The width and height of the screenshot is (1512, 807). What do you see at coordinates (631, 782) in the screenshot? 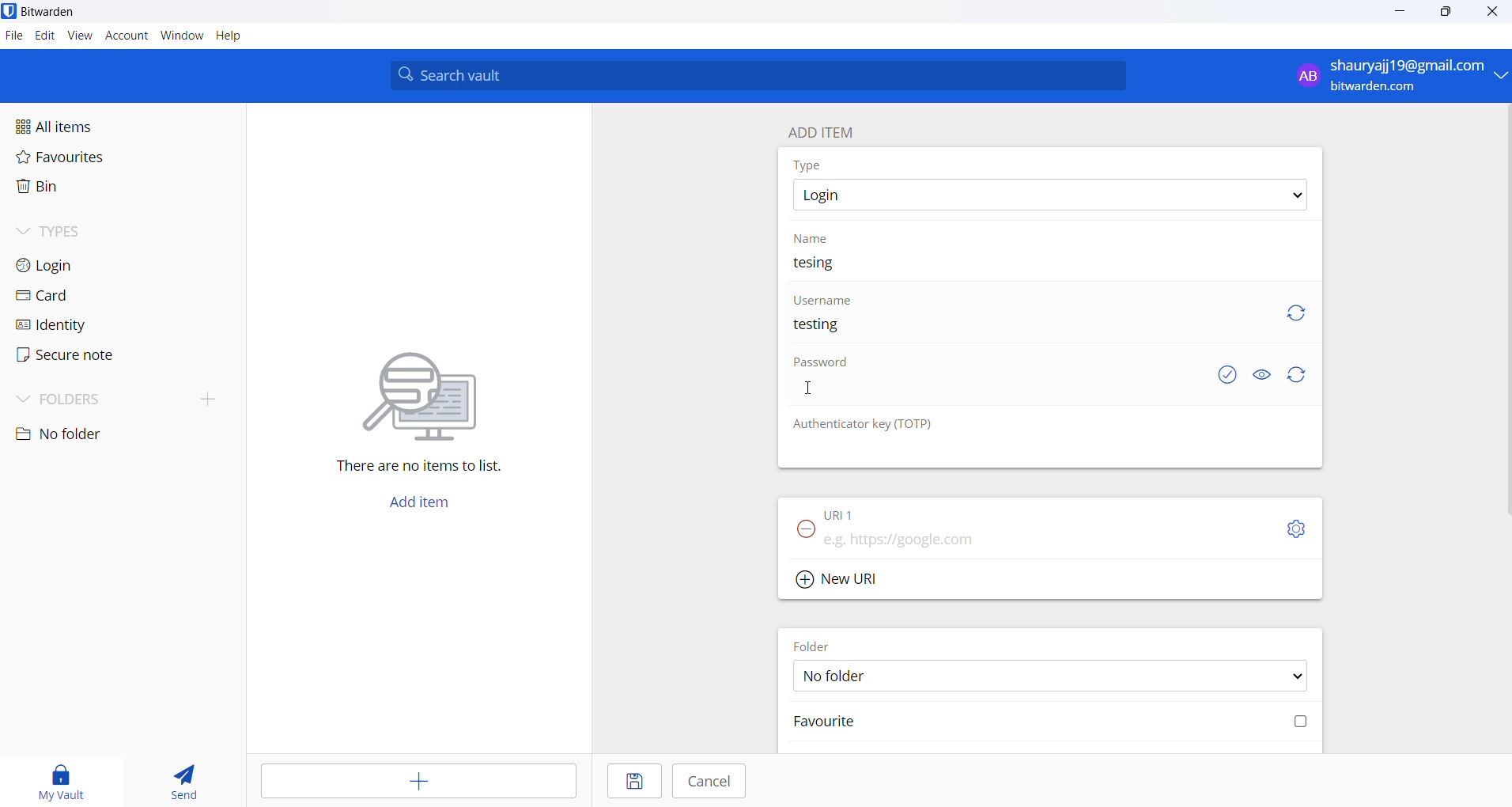
I see `Save` at bounding box center [631, 782].